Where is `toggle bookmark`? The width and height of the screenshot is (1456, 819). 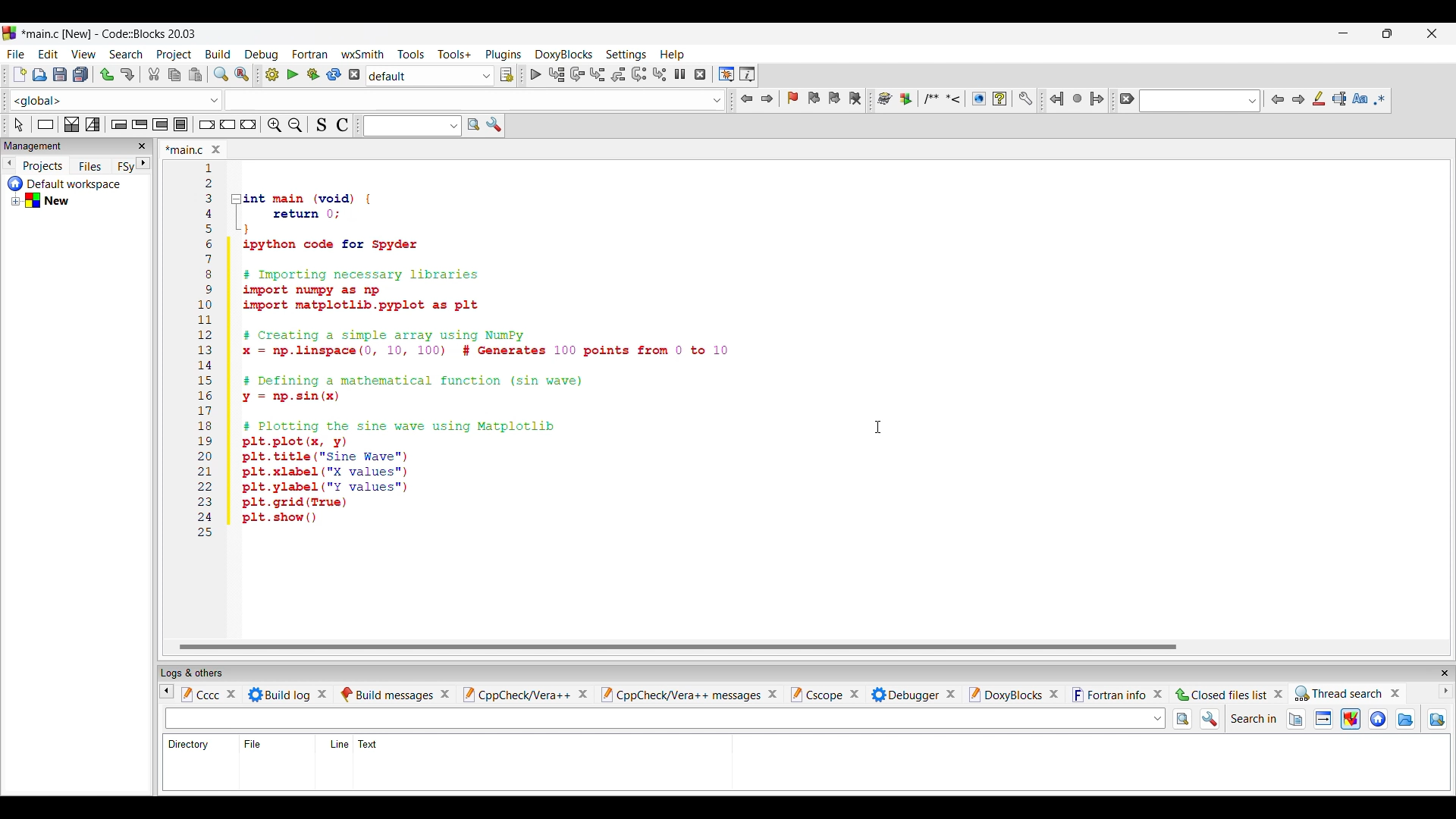
toggle bookmark is located at coordinates (793, 101).